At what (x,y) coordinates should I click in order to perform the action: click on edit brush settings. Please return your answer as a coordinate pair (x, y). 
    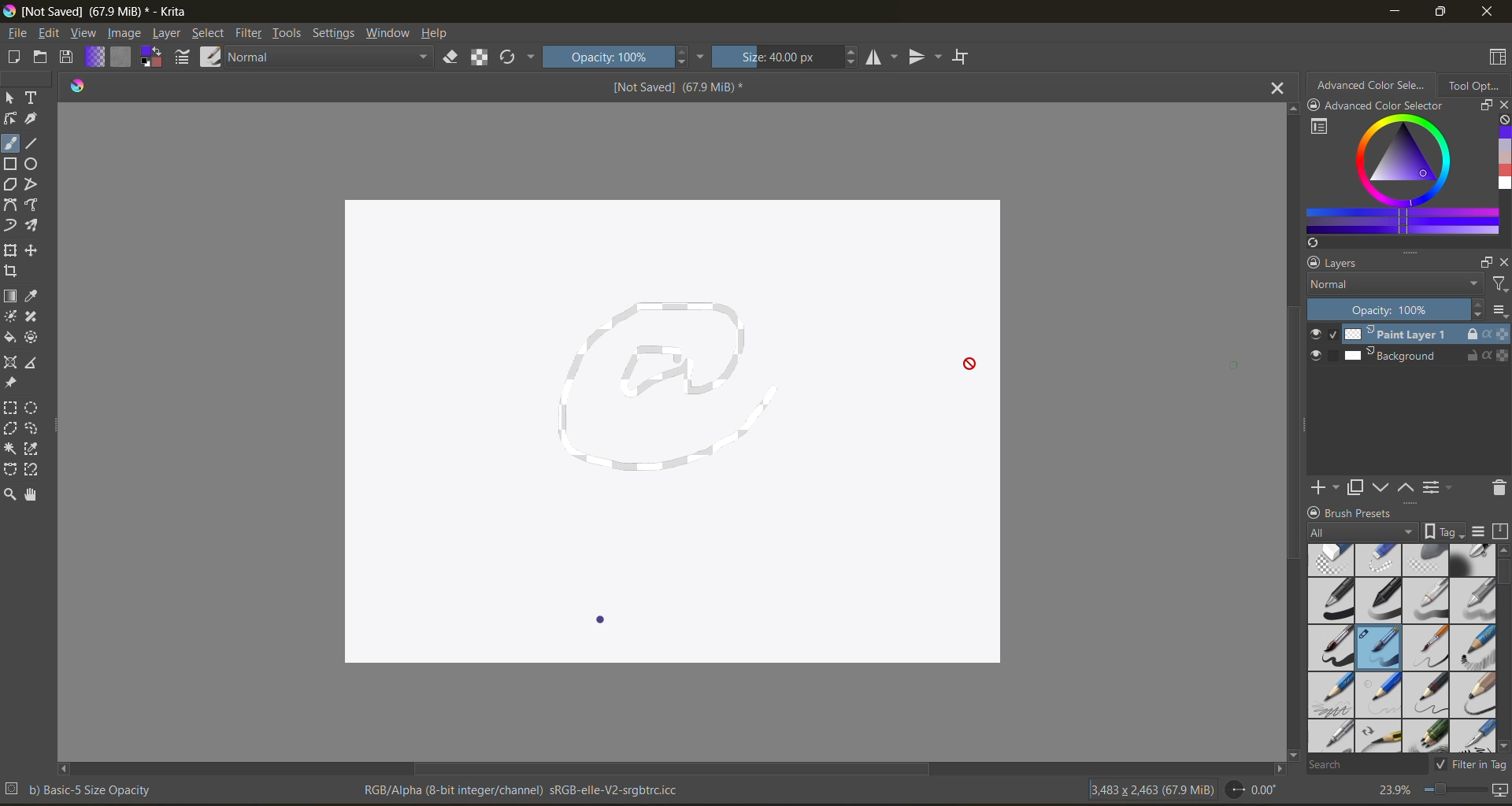
    Looking at the image, I should click on (183, 57).